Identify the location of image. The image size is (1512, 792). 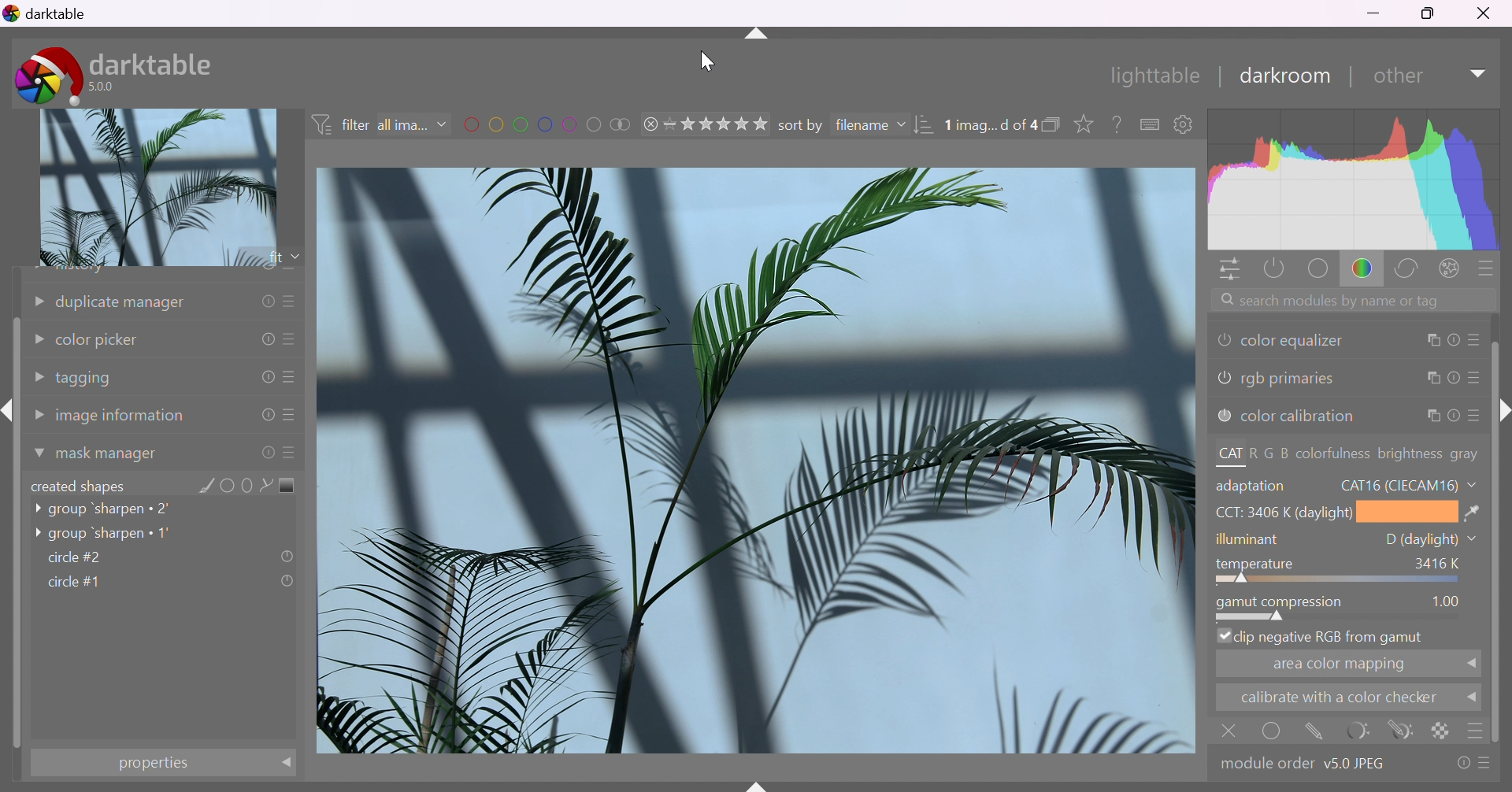
(755, 458).